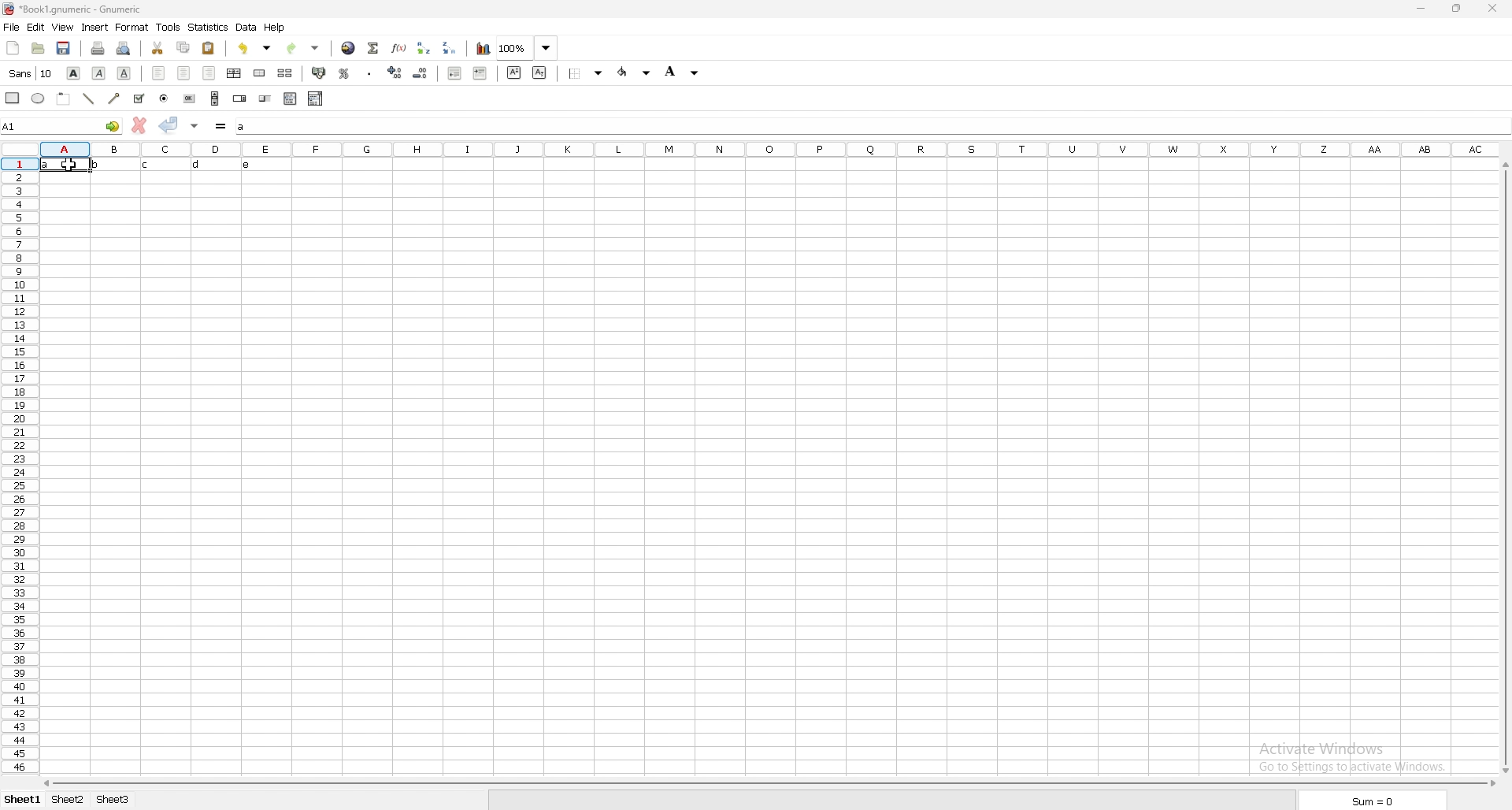 The height and width of the screenshot is (810, 1512). What do you see at coordinates (515, 73) in the screenshot?
I see `superscript` at bounding box center [515, 73].